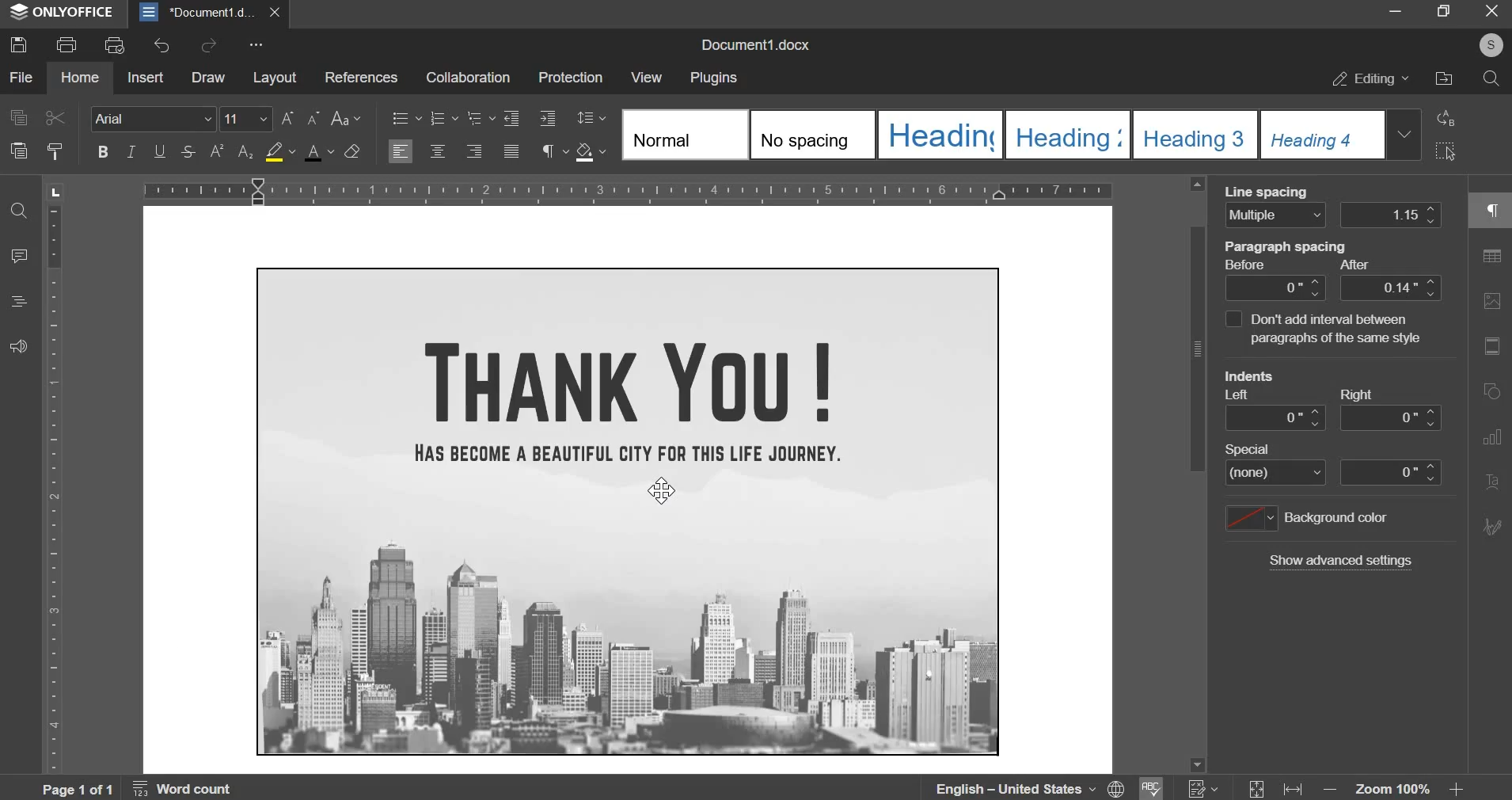 This screenshot has height=800, width=1512. What do you see at coordinates (1495, 438) in the screenshot?
I see `chart settings` at bounding box center [1495, 438].